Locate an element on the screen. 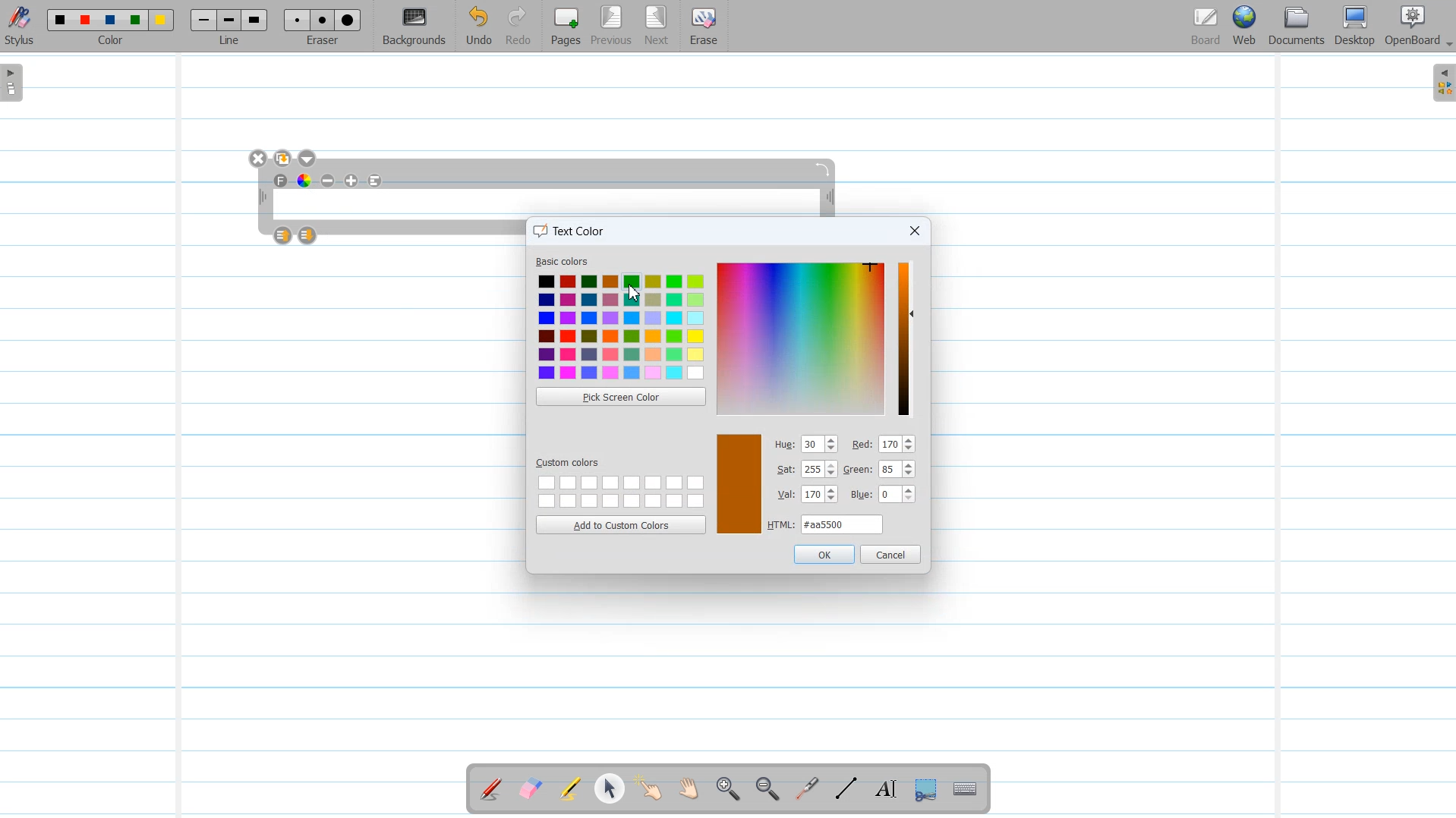 Image resolution: width=1456 pixels, height=818 pixels. Drop Down Box is located at coordinates (1447, 45).